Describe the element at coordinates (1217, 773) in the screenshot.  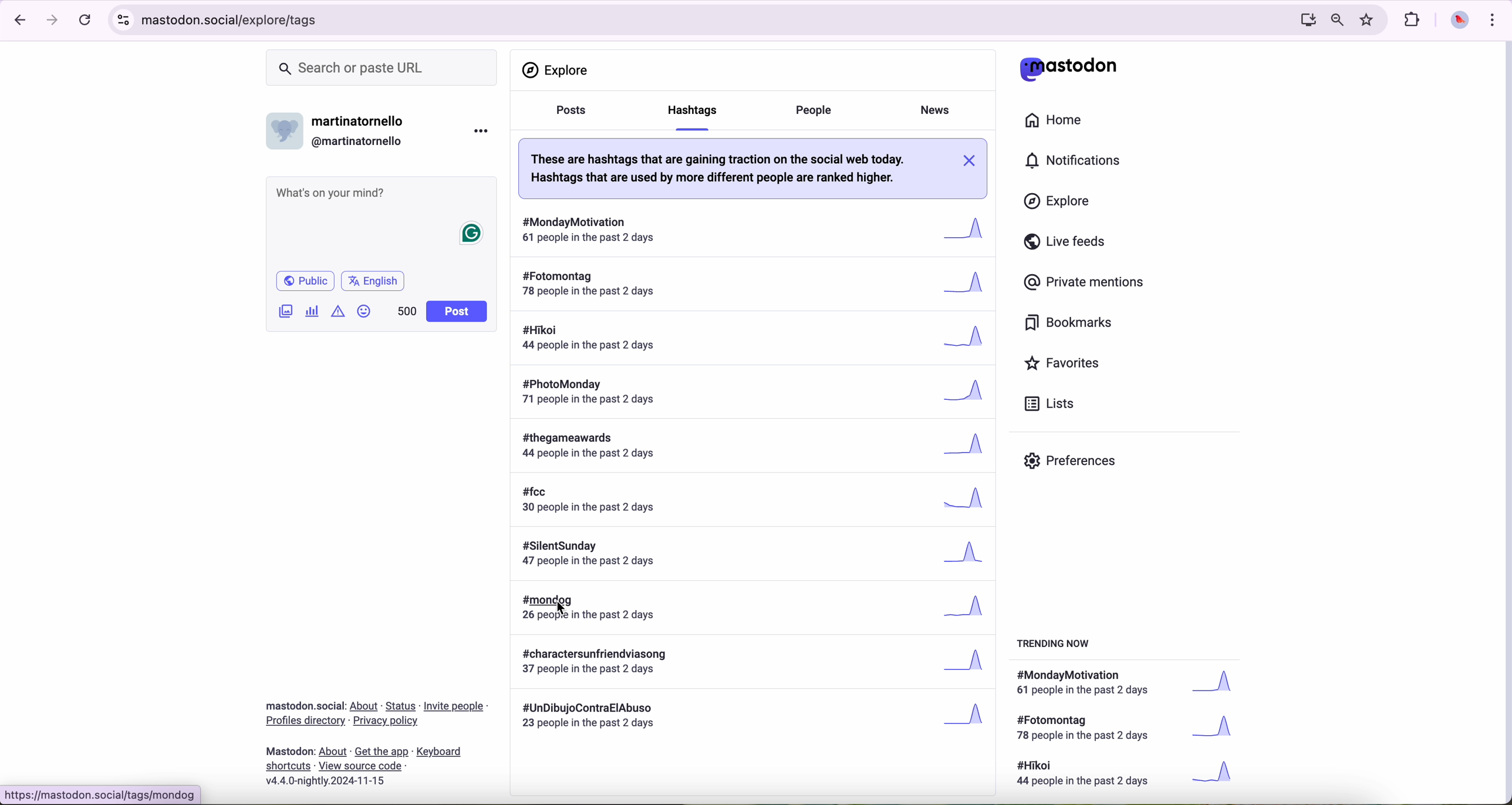
I see `graph` at that location.